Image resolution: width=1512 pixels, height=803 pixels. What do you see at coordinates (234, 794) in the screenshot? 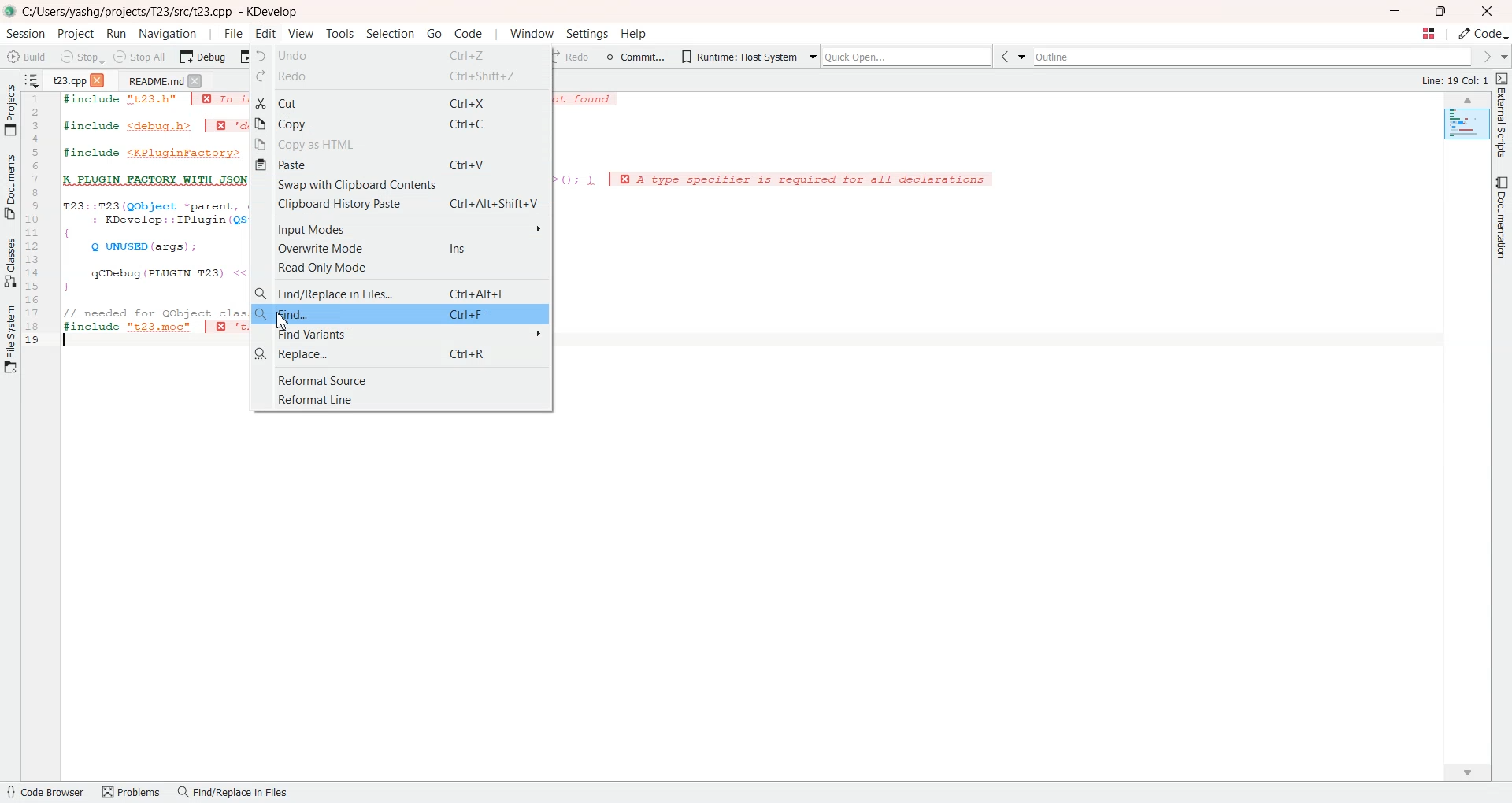
I see `Find/Replace in files` at bounding box center [234, 794].